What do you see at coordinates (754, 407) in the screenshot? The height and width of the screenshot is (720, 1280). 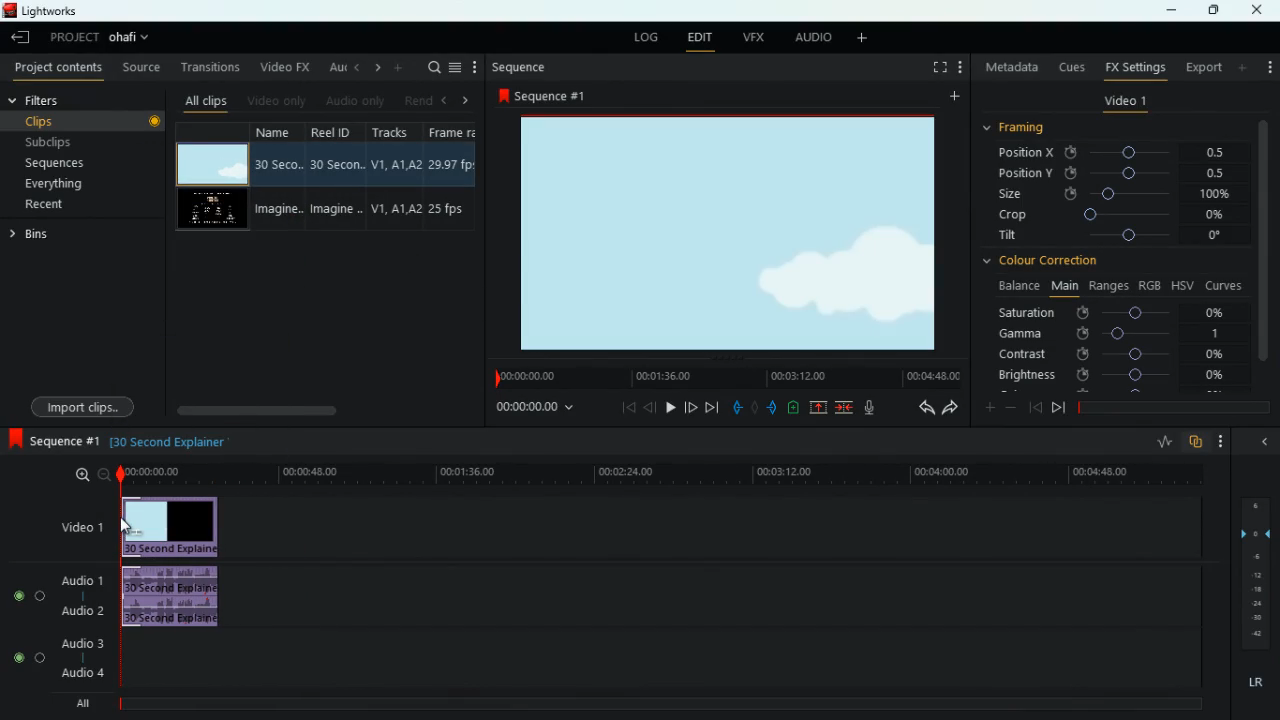 I see `hold` at bounding box center [754, 407].